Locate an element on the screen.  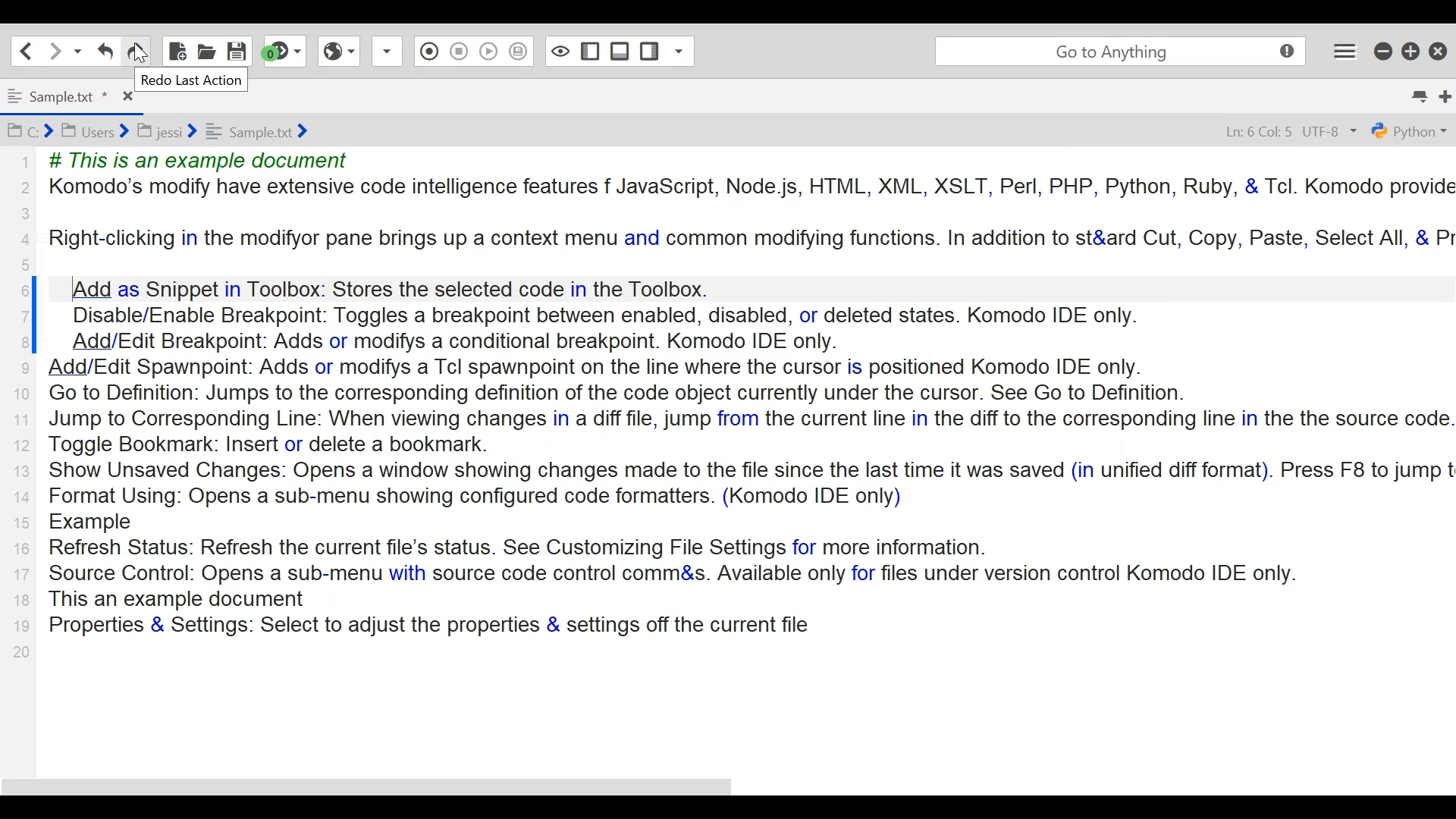
Save File is located at coordinates (237, 50).